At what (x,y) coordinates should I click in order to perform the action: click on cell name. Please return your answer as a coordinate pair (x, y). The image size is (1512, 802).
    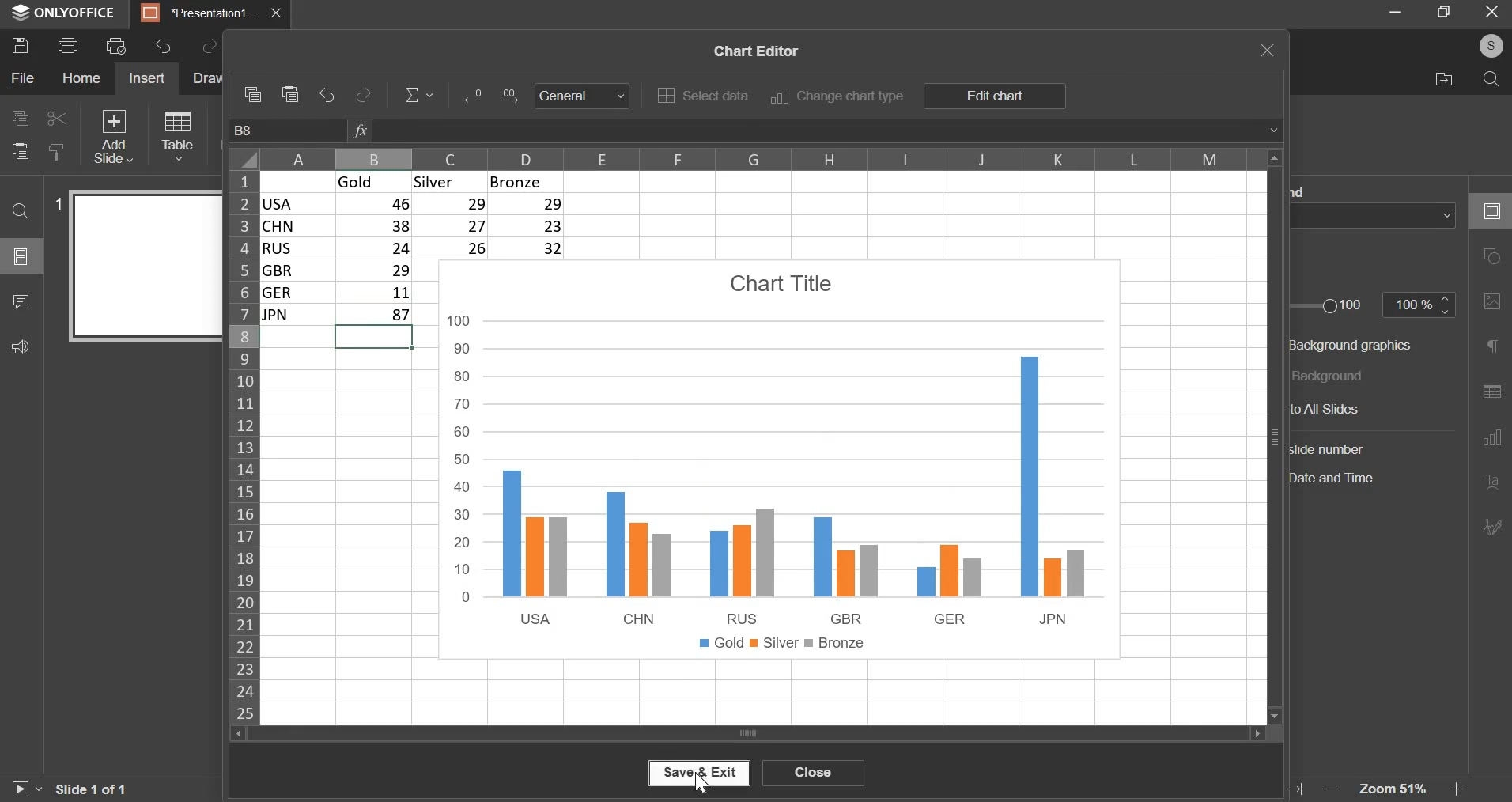
    Looking at the image, I should click on (289, 131).